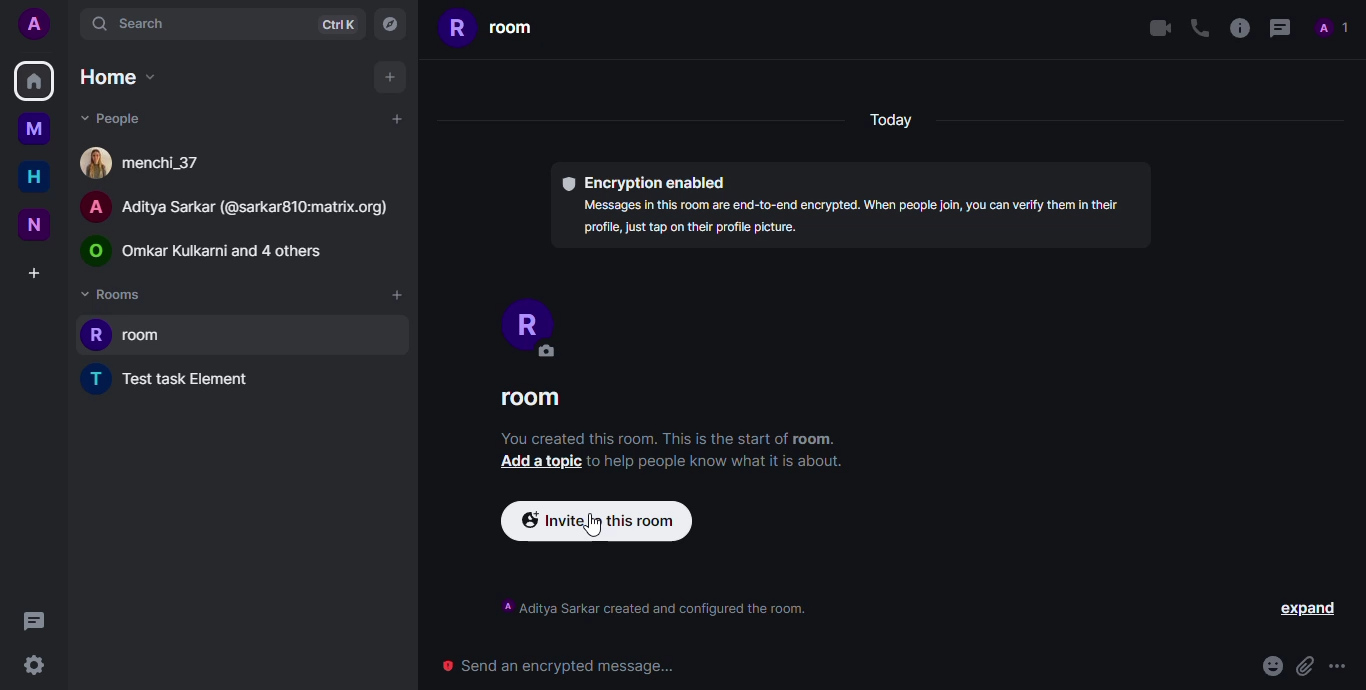  What do you see at coordinates (215, 251) in the screenshot?
I see `Omkar Kulkarni and 4 others` at bounding box center [215, 251].